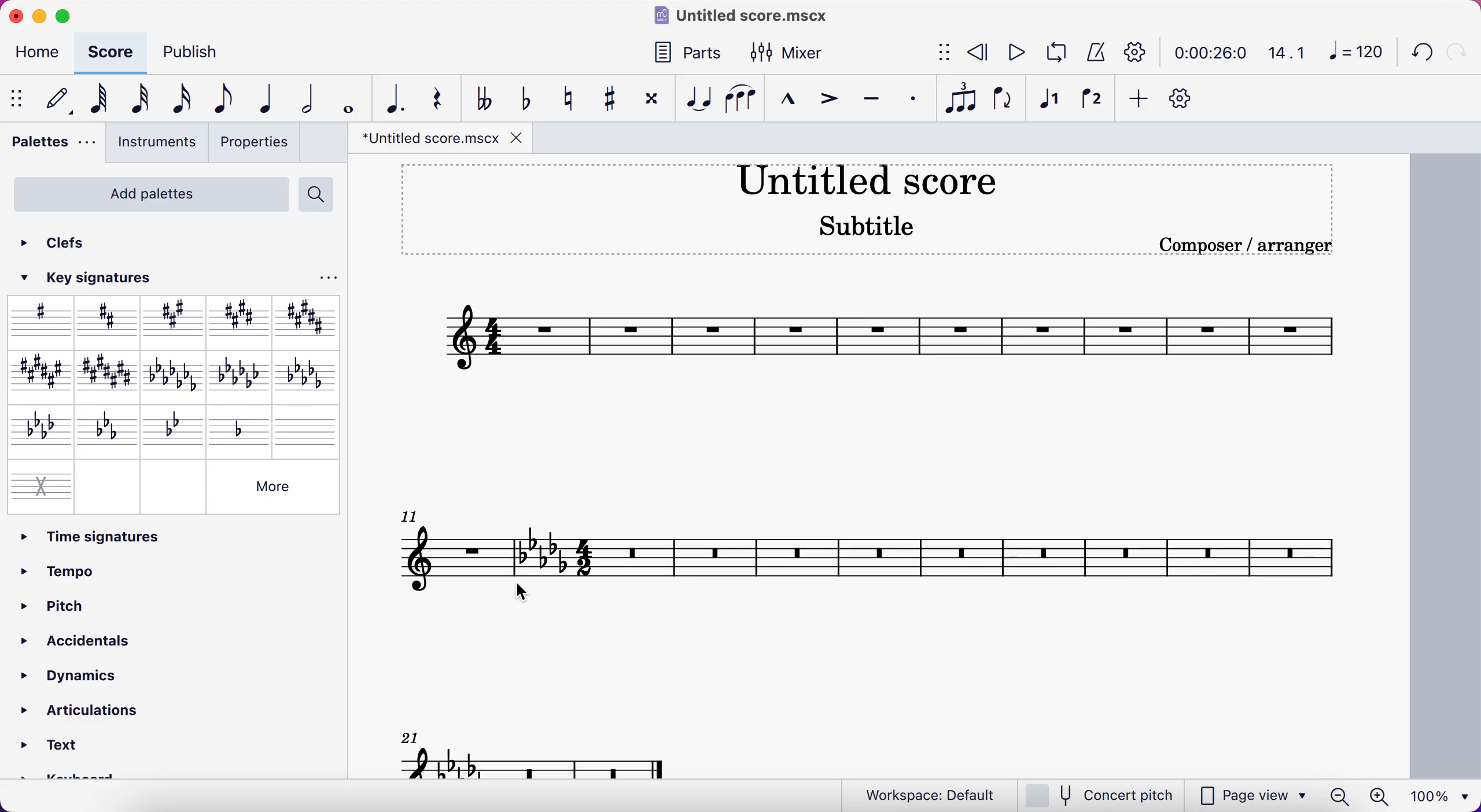 The width and height of the screenshot is (1481, 812). Describe the element at coordinates (1236, 245) in the screenshot. I see `Composer / arranger` at that location.